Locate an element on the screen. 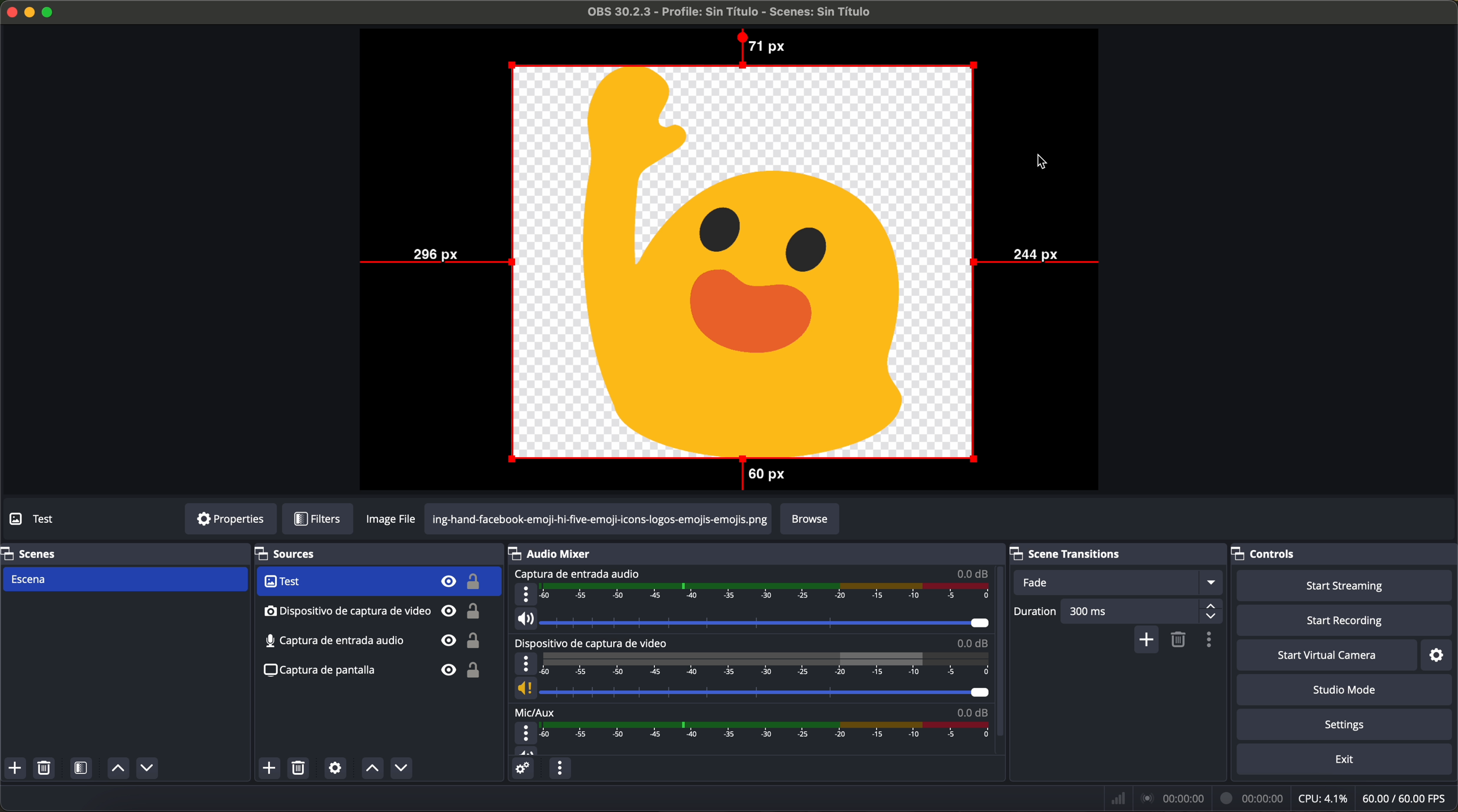  0.0 dB is located at coordinates (974, 573).